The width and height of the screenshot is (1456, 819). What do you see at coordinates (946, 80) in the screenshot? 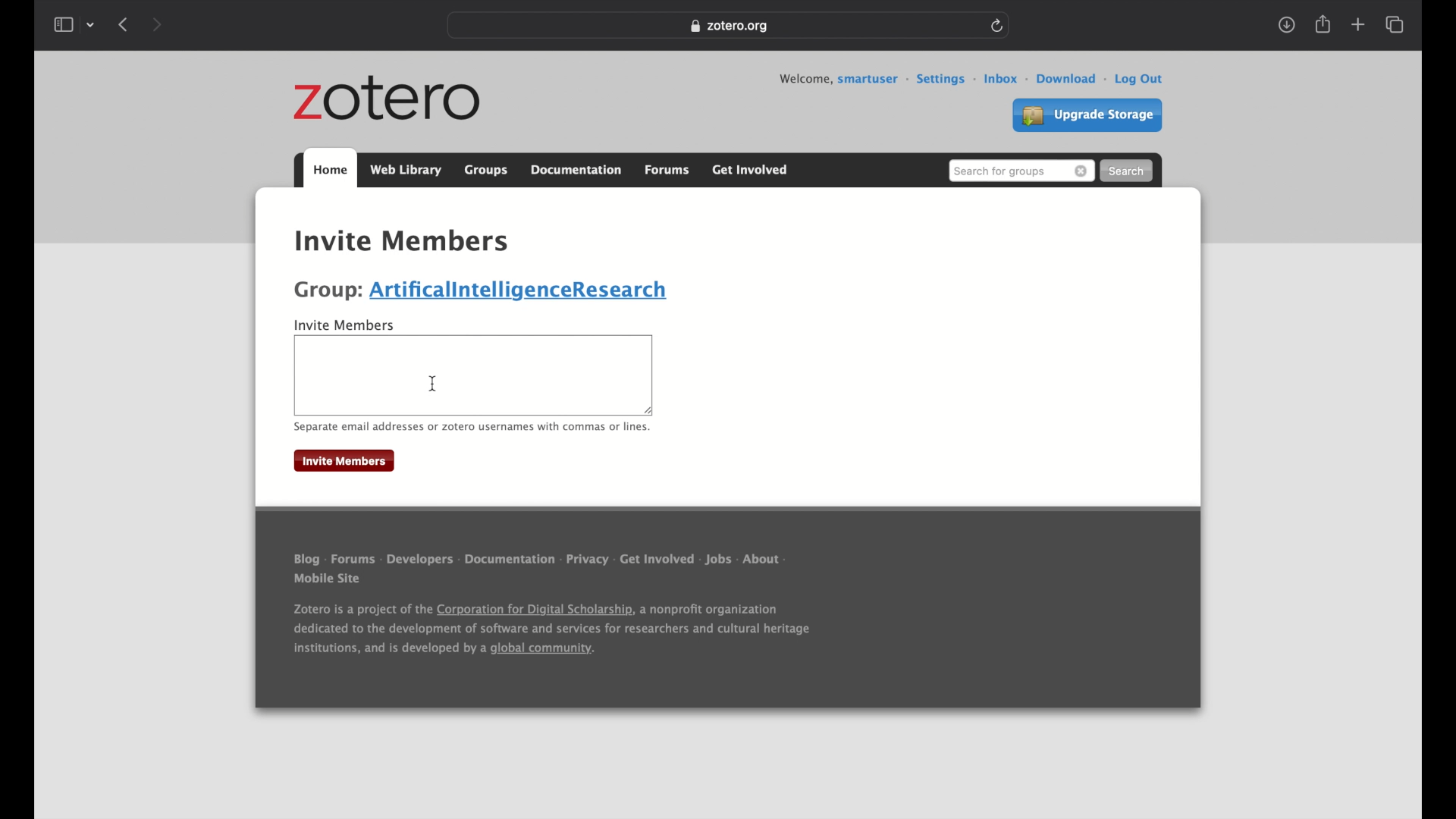
I see `settings` at bounding box center [946, 80].